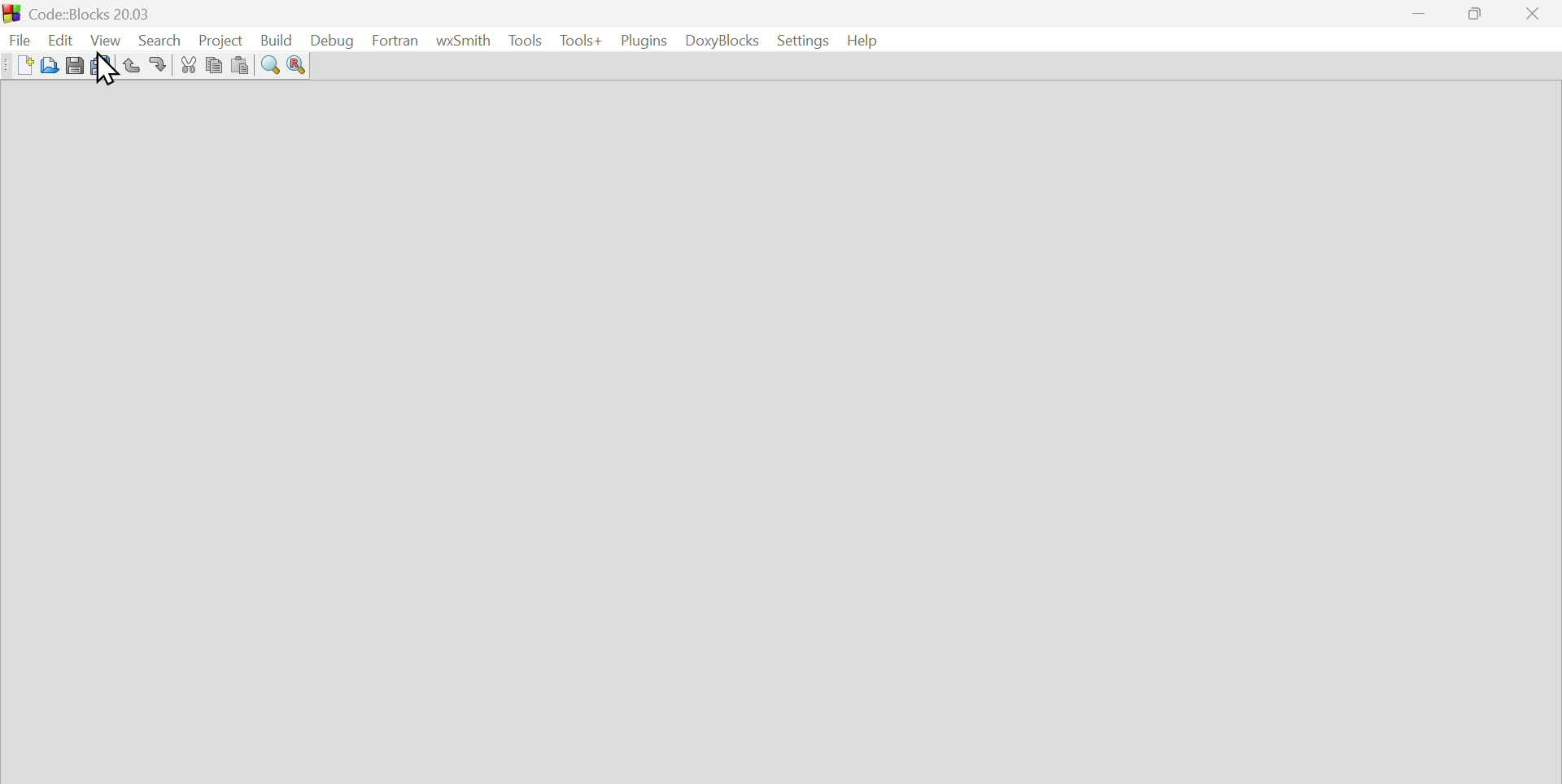 This screenshot has width=1562, height=784. Describe the element at coordinates (397, 40) in the screenshot. I see `Fortran` at that location.